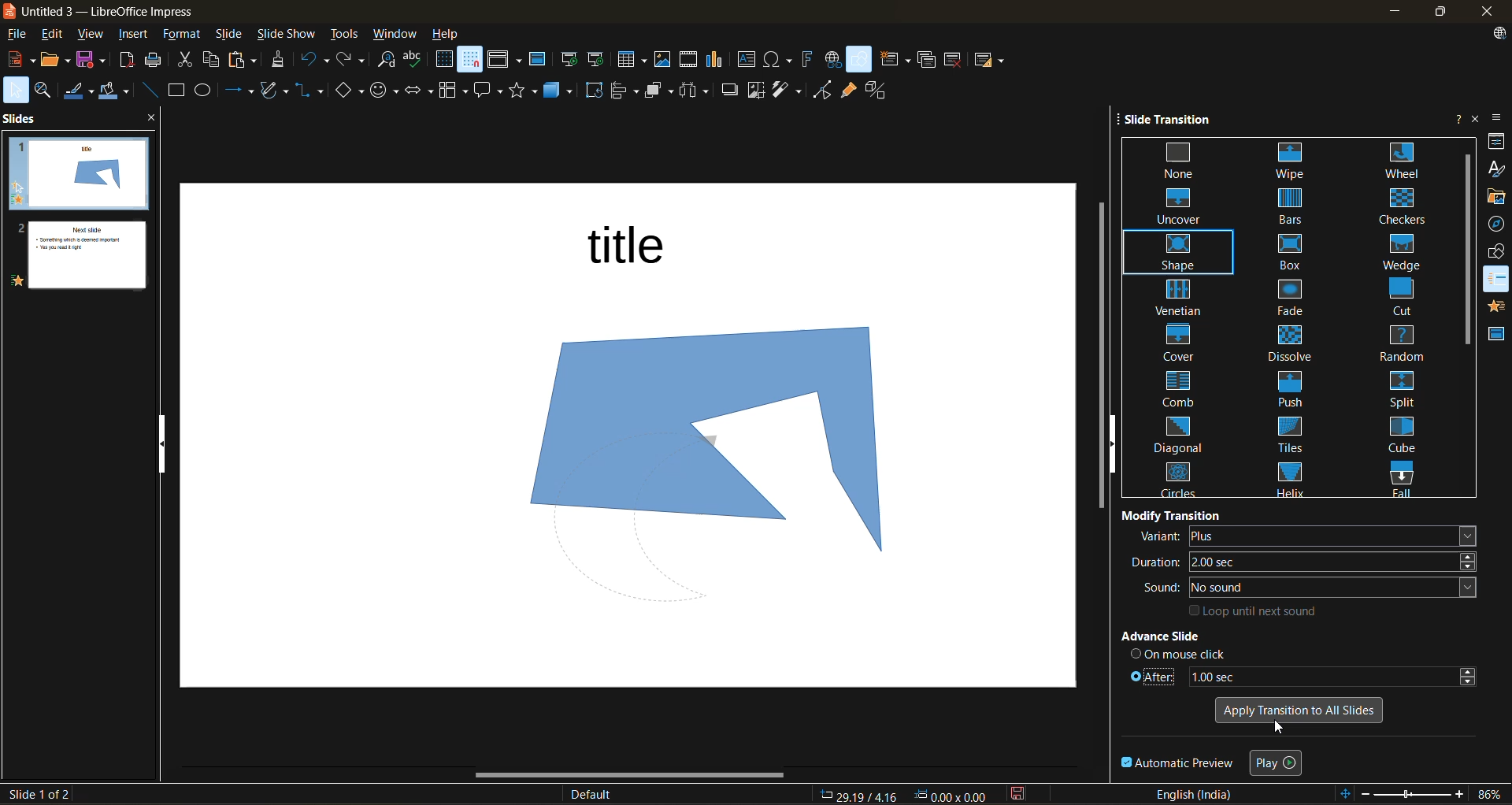 This screenshot has width=1512, height=805. I want to click on insert line, so click(149, 90).